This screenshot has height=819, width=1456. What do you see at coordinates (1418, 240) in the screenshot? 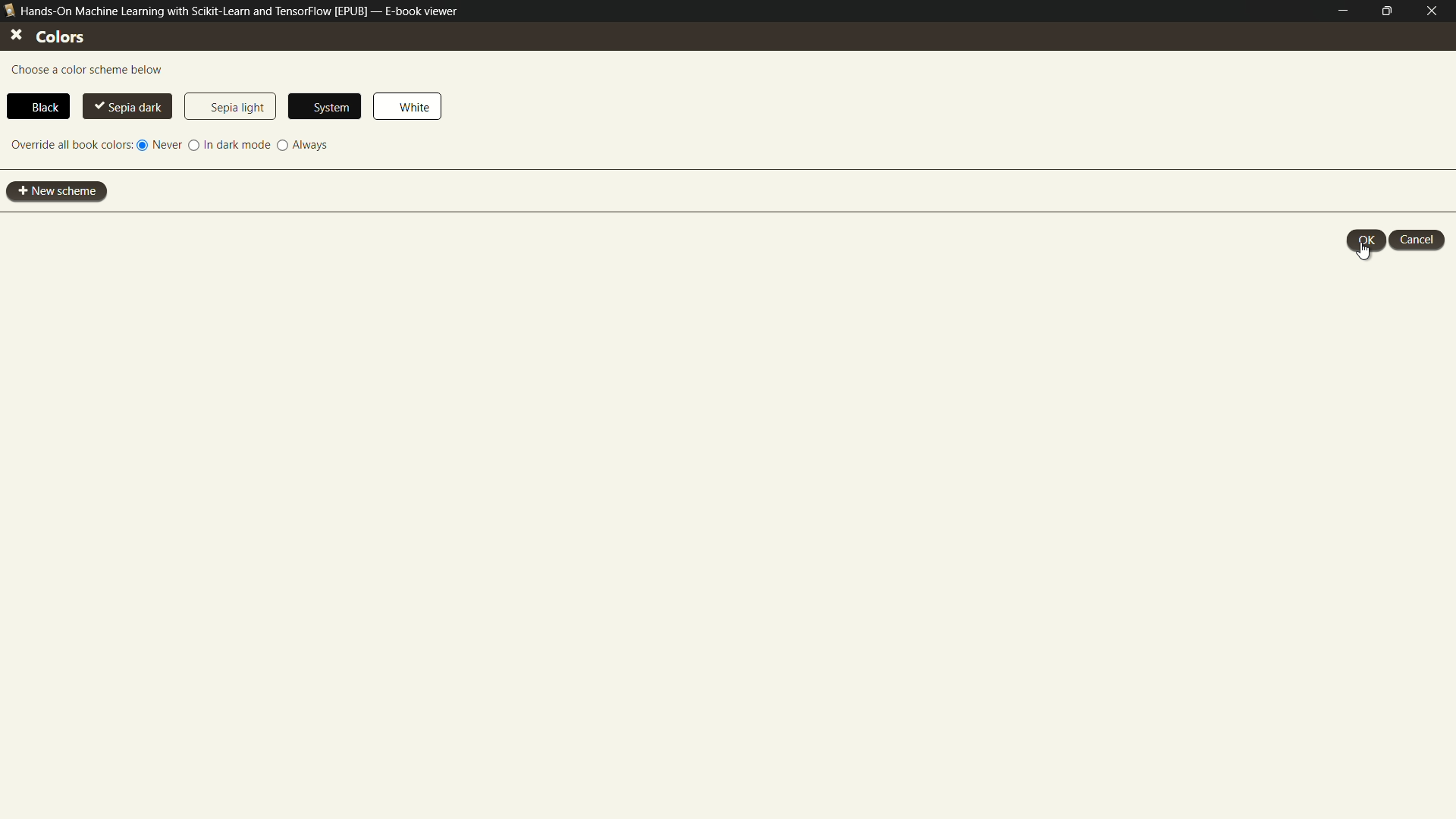
I see `cancel` at bounding box center [1418, 240].